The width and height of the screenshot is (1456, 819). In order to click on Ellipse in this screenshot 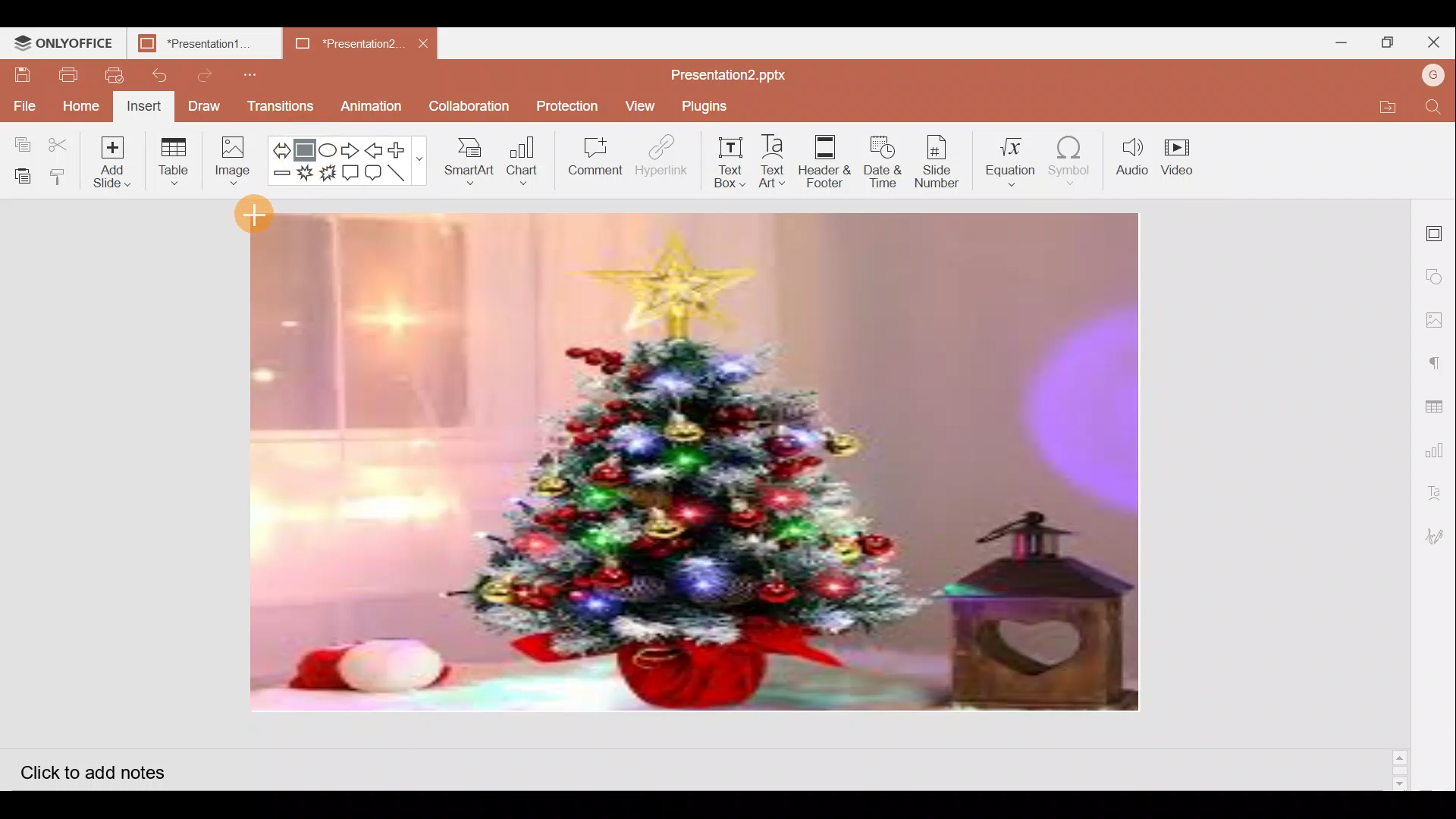, I will do `click(329, 146)`.